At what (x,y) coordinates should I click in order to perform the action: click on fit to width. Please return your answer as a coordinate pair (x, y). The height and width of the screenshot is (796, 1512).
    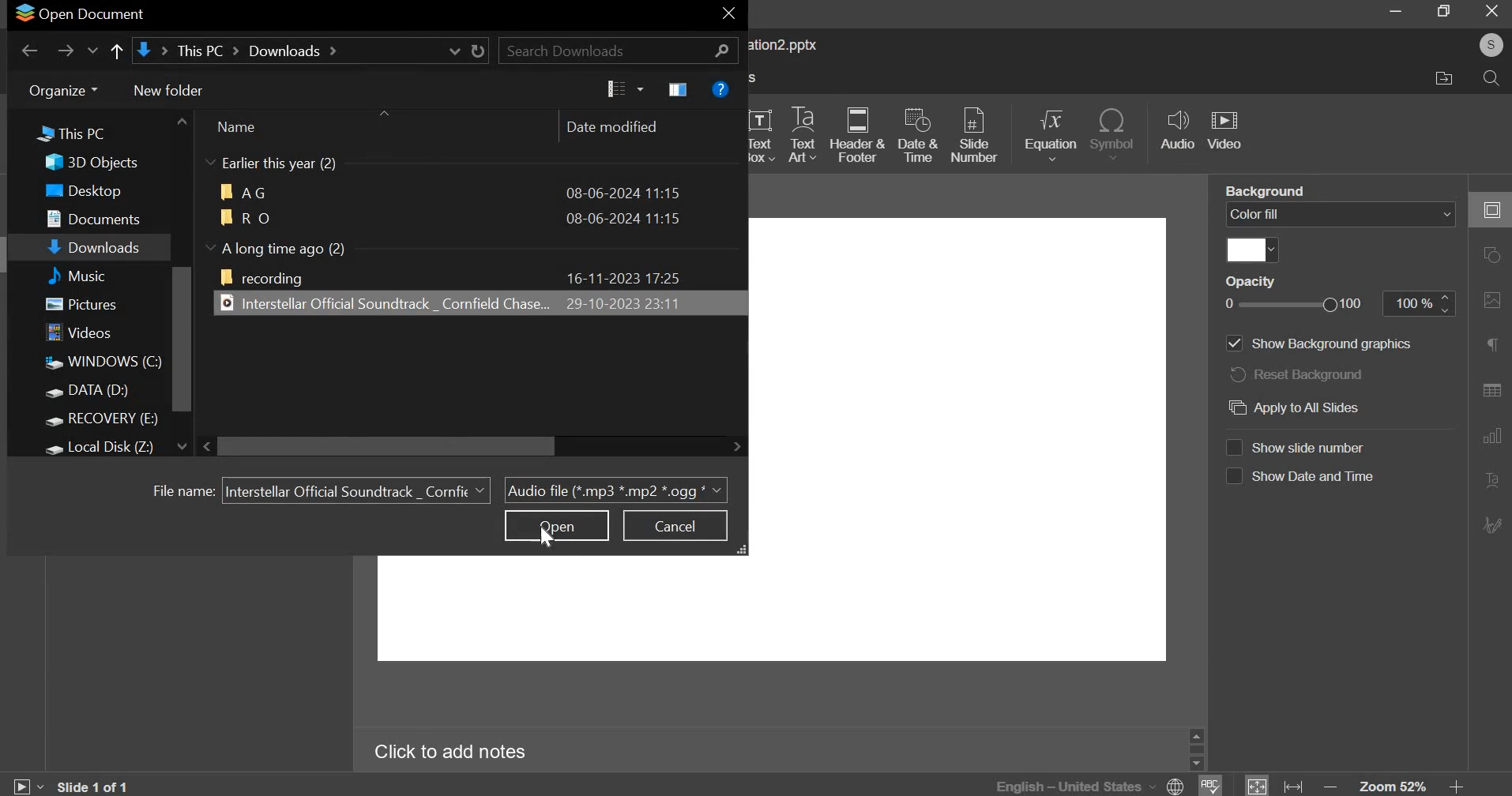
    Looking at the image, I should click on (1292, 784).